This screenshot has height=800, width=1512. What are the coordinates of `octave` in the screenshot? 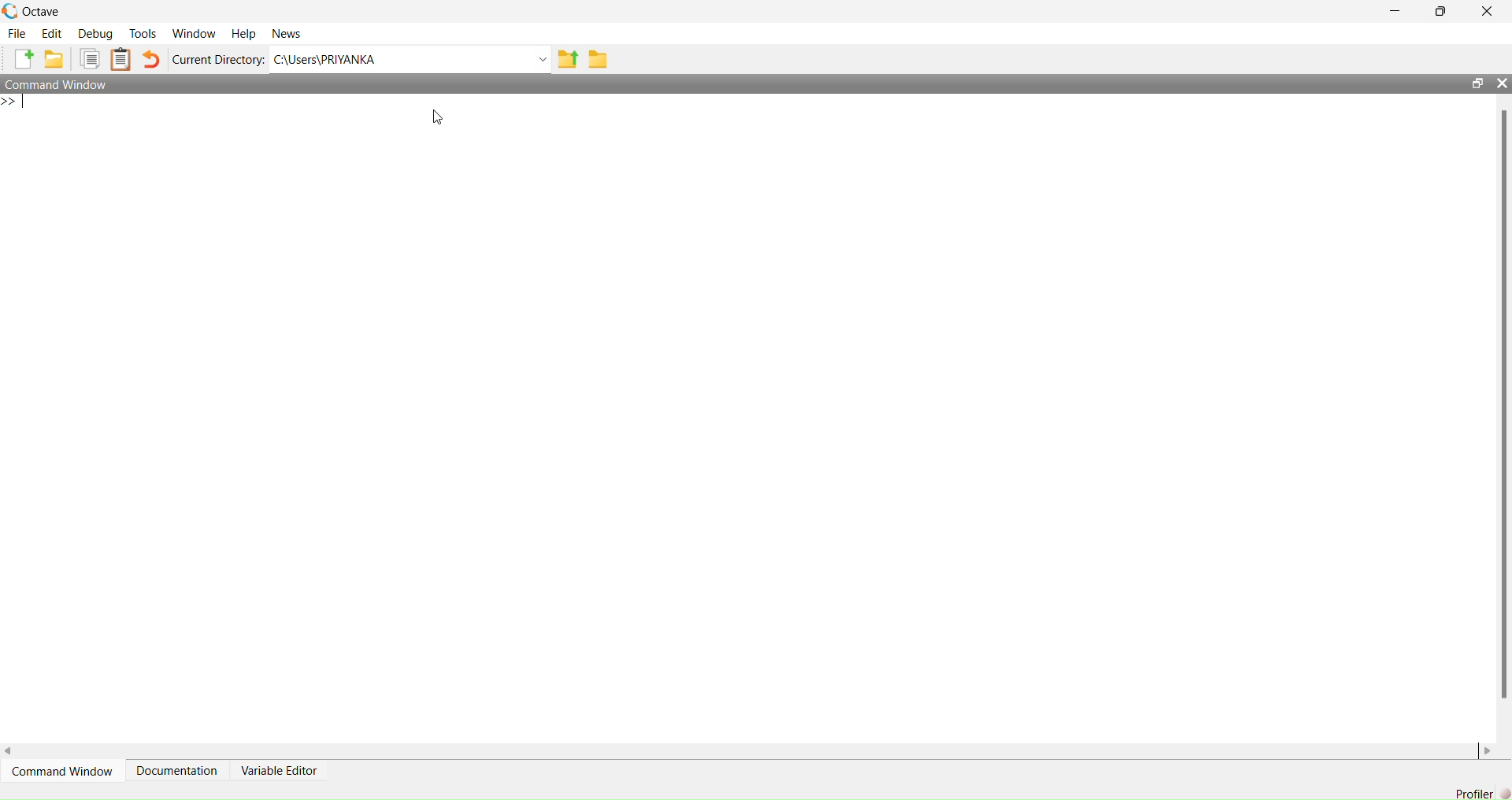 It's located at (43, 13).